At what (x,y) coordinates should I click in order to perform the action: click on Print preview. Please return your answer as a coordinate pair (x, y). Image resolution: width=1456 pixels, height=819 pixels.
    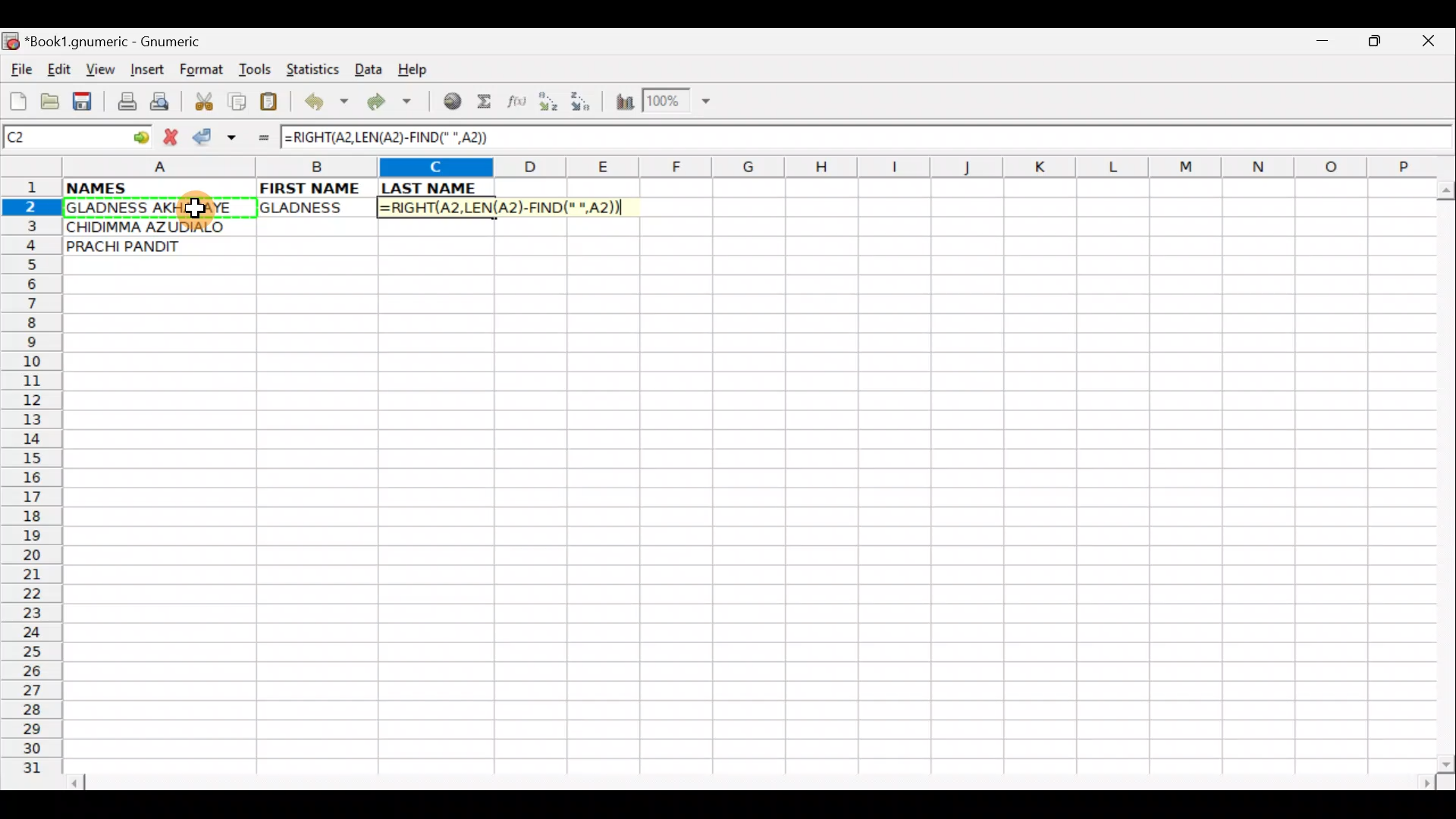
    Looking at the image, I should click on (160, 105).